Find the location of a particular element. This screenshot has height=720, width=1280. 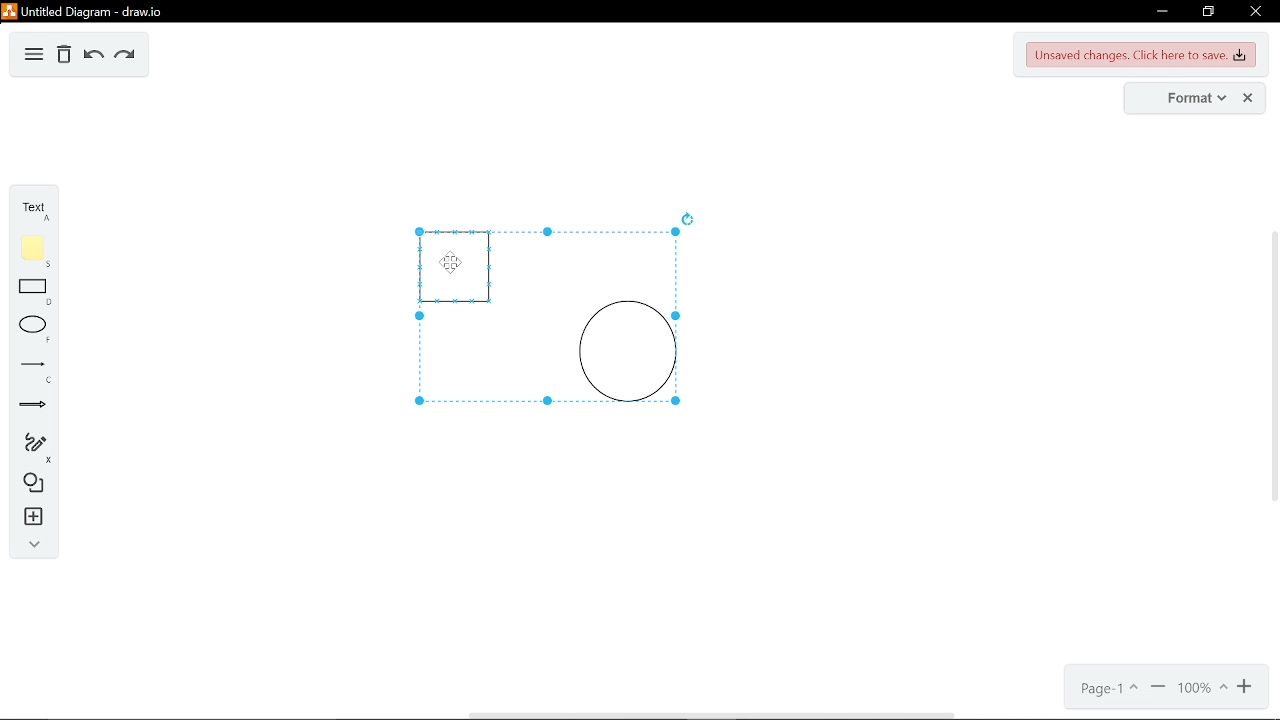

ellipse is located at coordinates (31, 330).